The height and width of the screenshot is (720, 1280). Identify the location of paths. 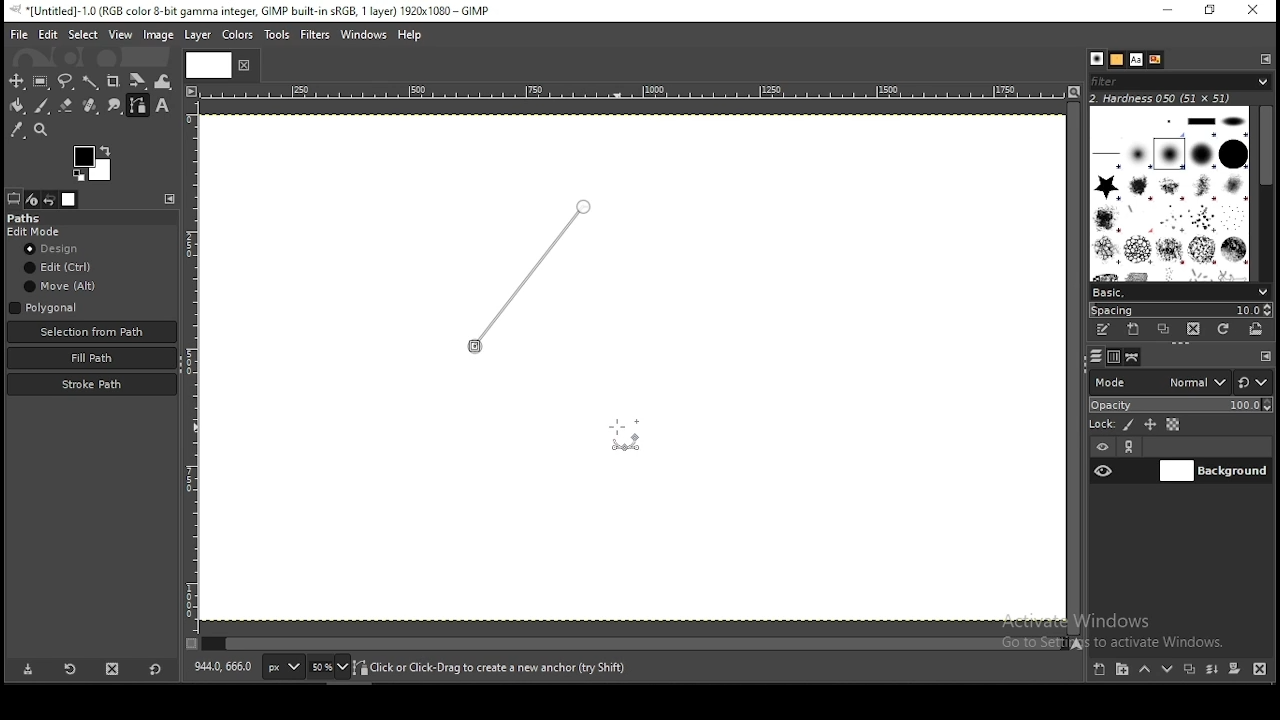
(1133, 357).